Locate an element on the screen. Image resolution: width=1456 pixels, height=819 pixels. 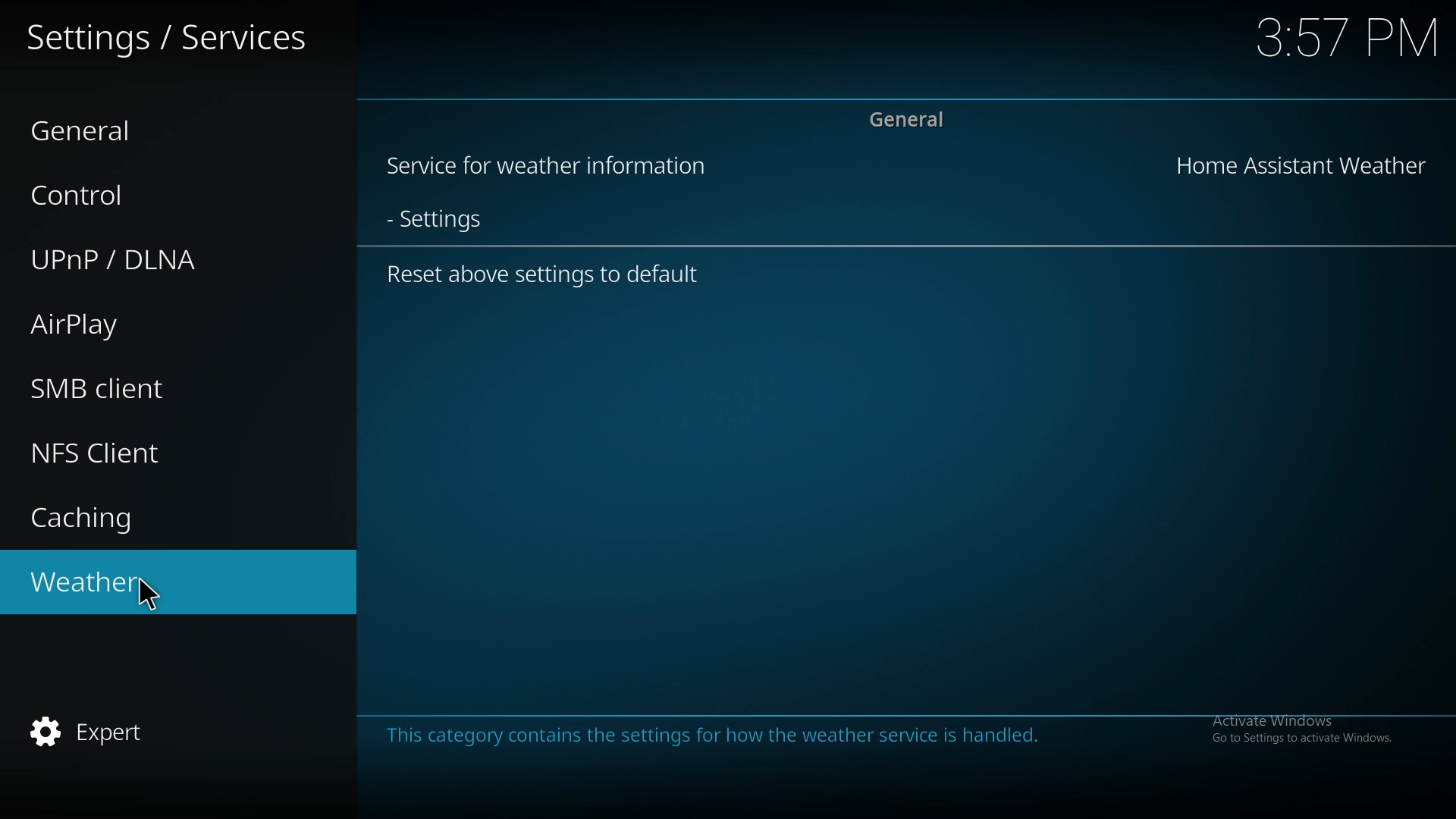
expert is located at coordinates (156, 734).